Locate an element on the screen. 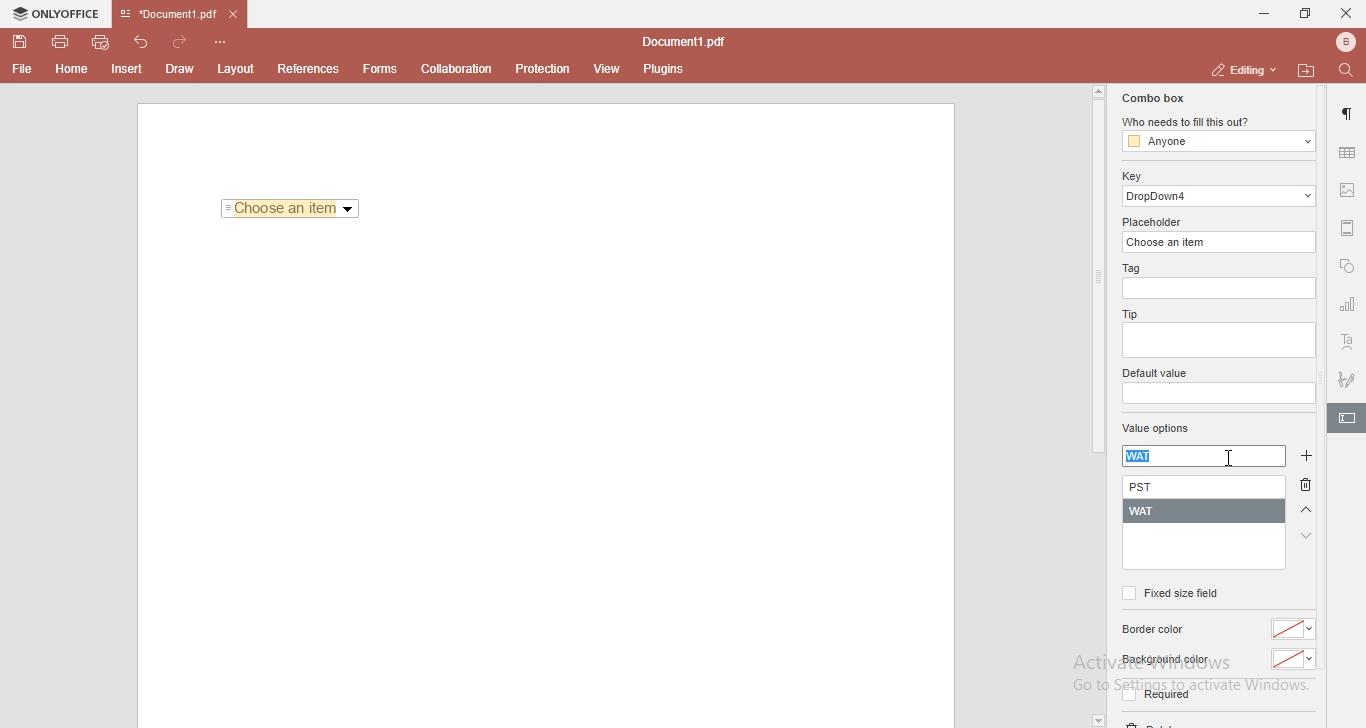 The height and width of the screenshot is (728, 1366). scroll bar is located at coordinates (1097, 270).